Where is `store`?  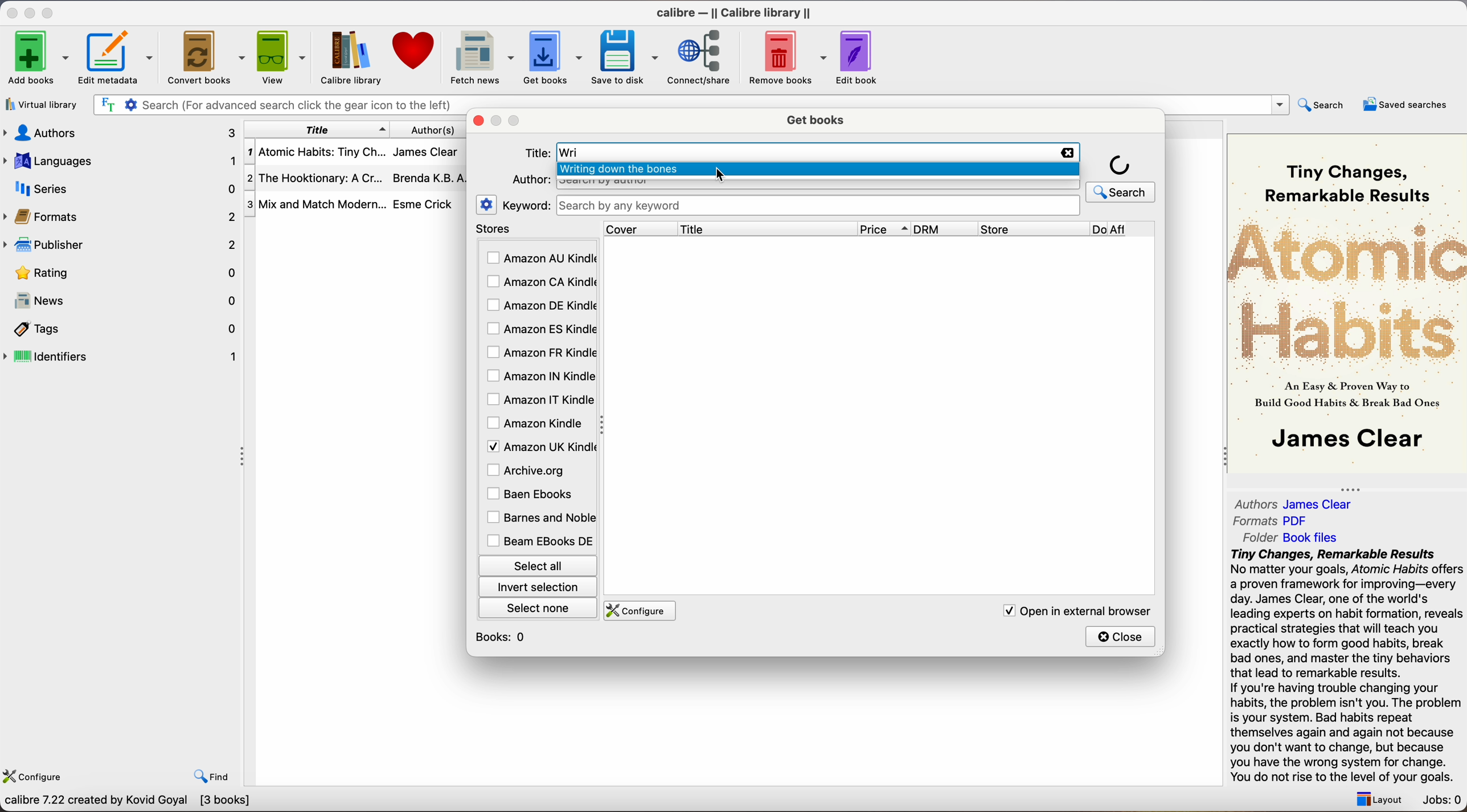 store is located at coordinates (1032, 229).